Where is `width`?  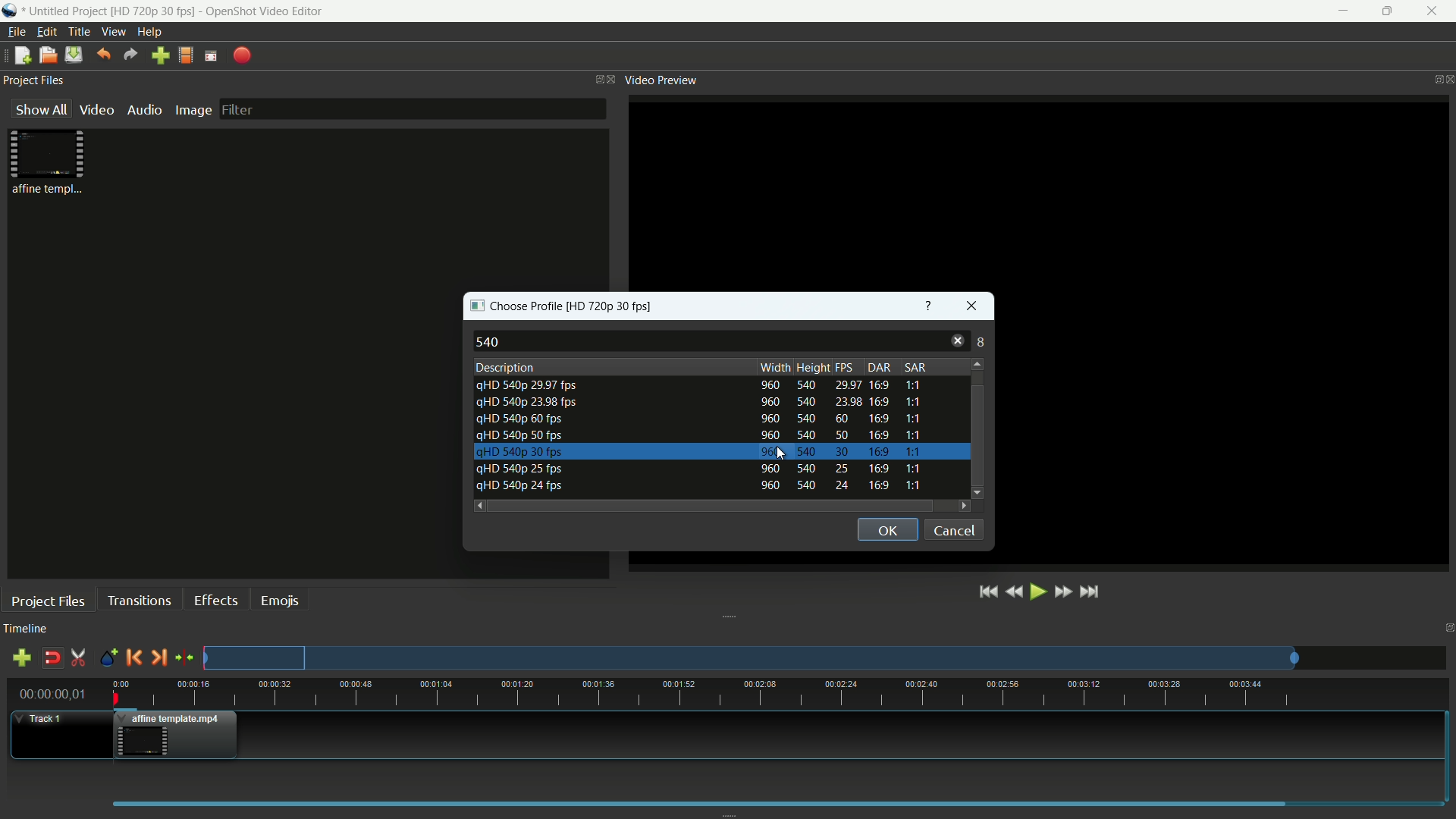
width is located at coordinates (770, 368).